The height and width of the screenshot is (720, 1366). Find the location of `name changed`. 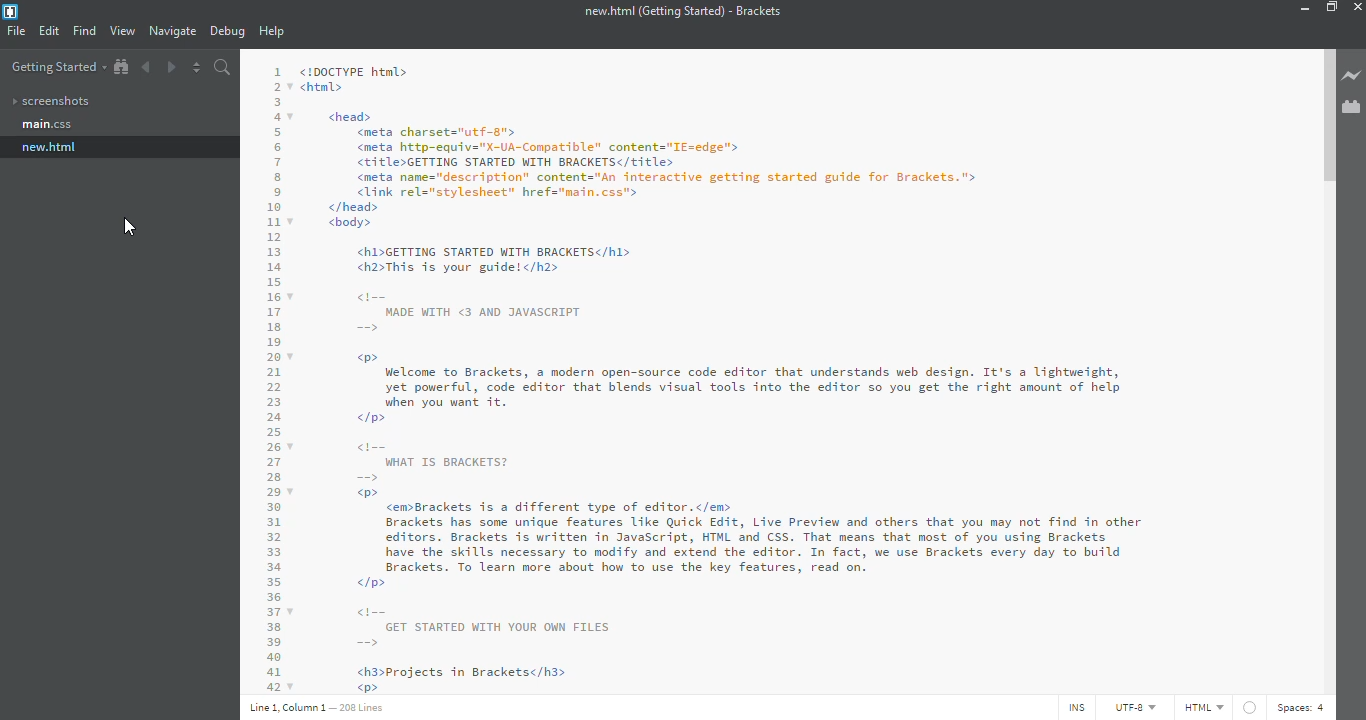

name changed is located at coordinates (52, 146).